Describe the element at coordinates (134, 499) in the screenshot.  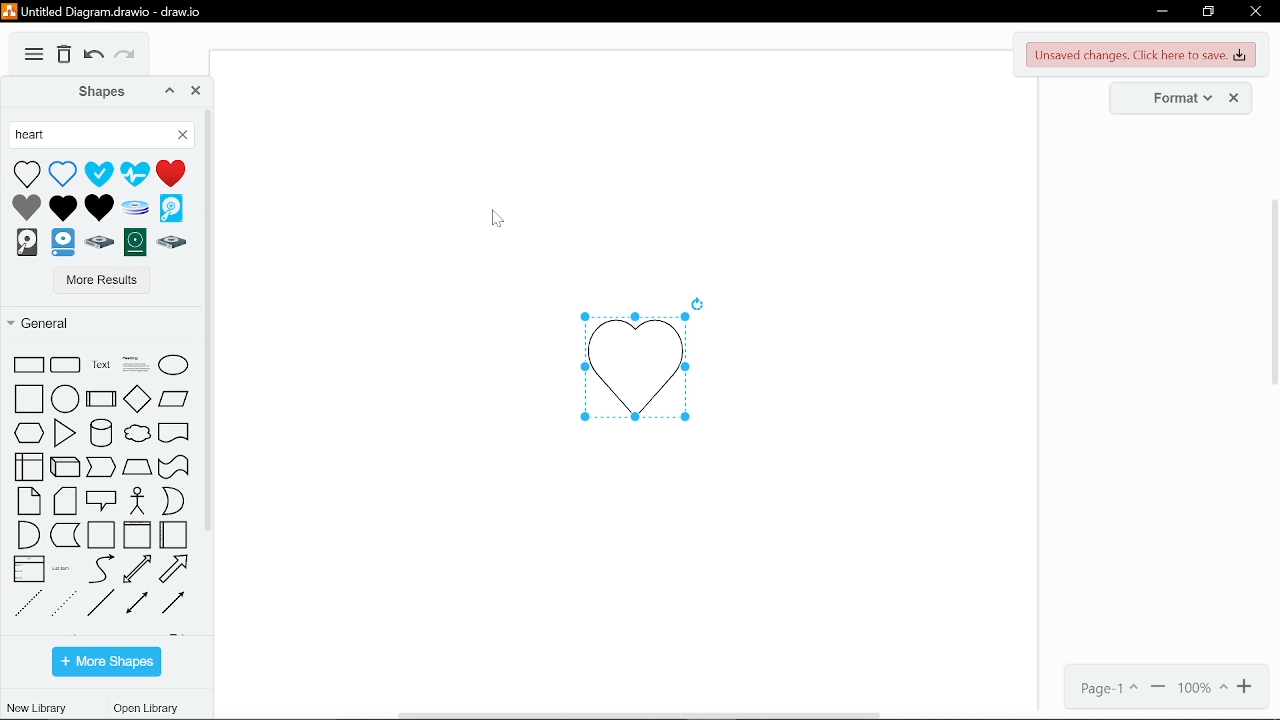
I see `actor` at that location.